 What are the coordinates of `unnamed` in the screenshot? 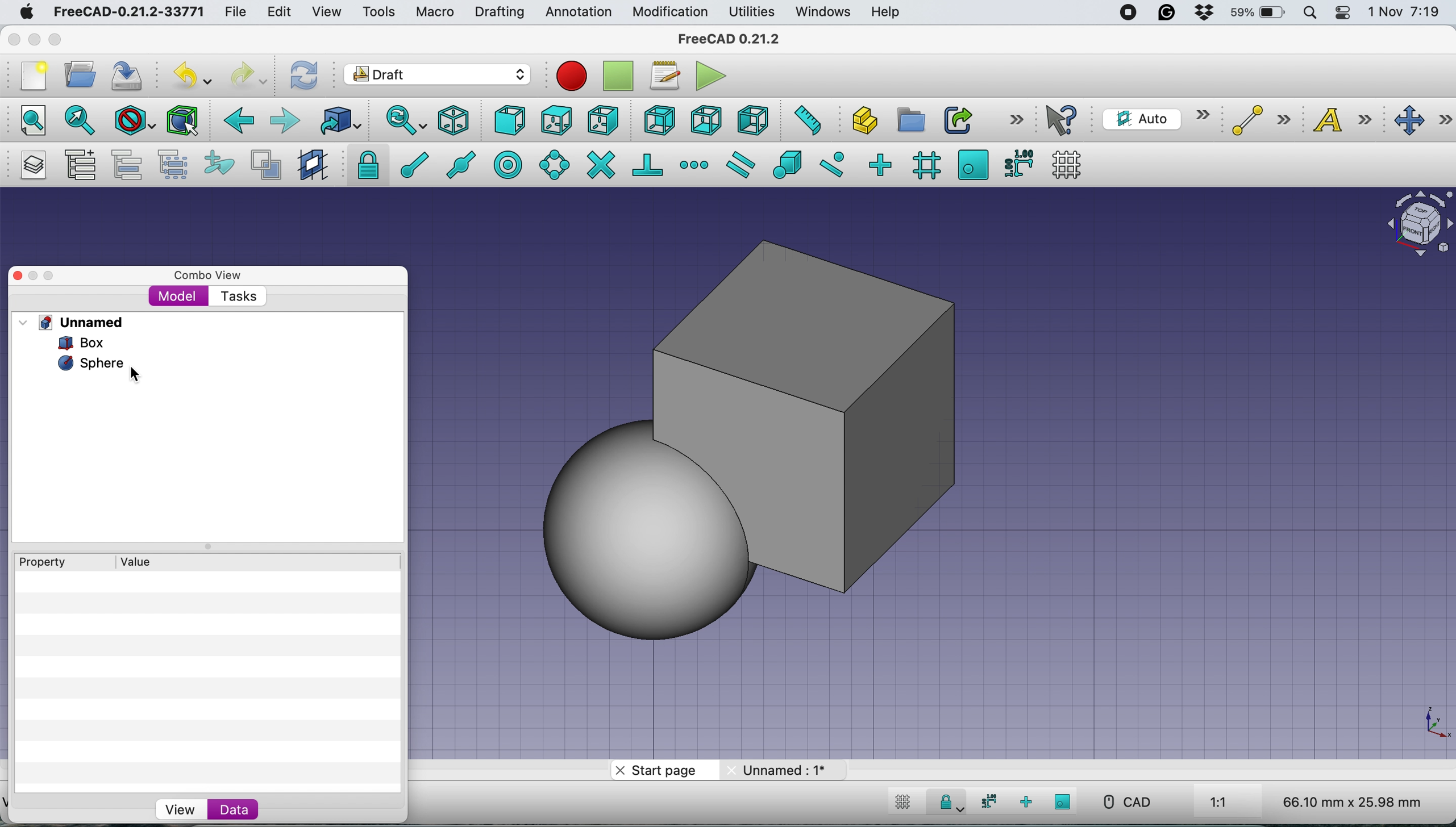 It's located at (76, 322).